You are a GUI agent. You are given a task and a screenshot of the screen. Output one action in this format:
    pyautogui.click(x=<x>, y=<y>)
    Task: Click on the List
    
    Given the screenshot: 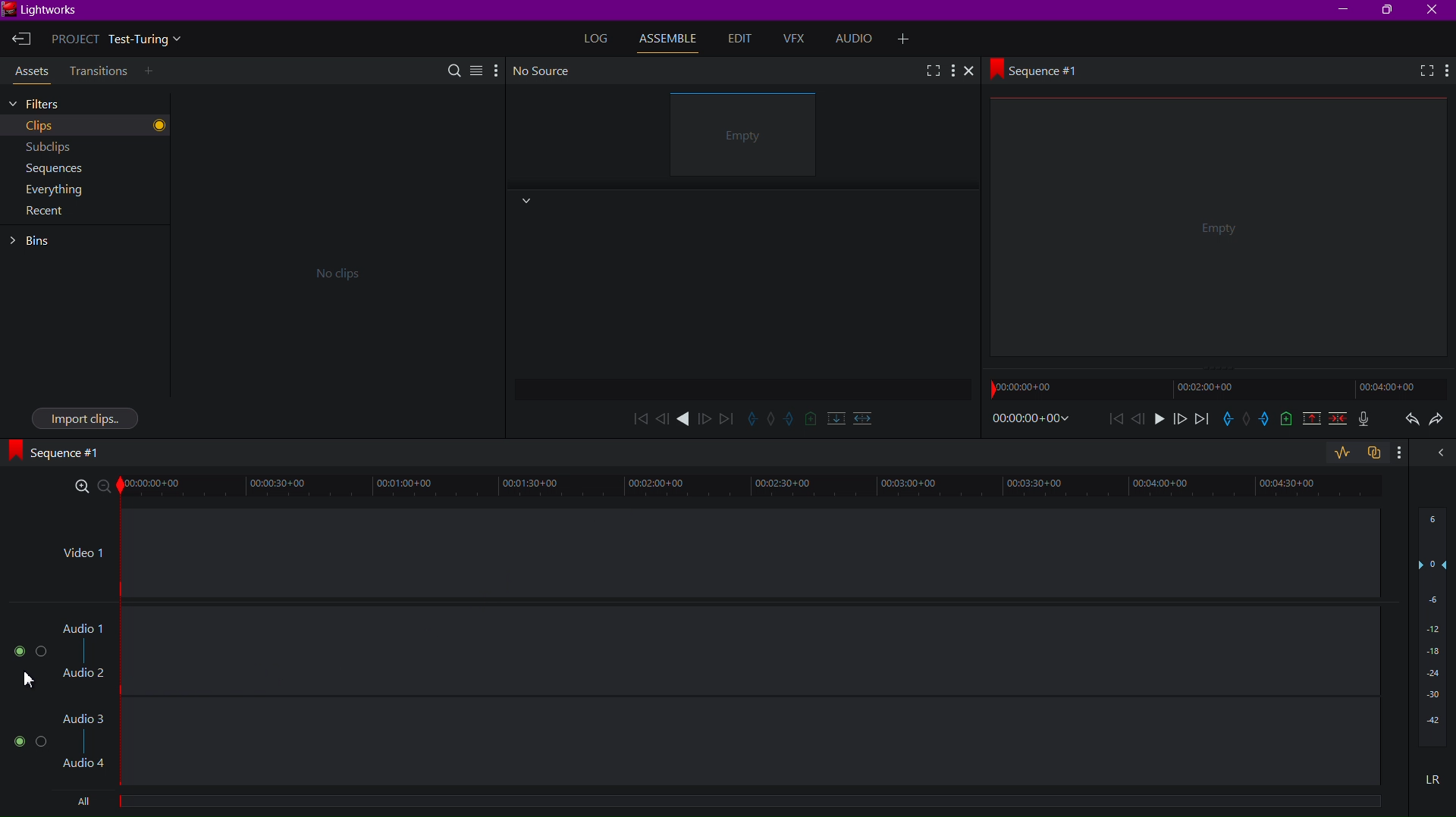 What is the action you would take?
    pyautogui.click(x=475, y=68)
    